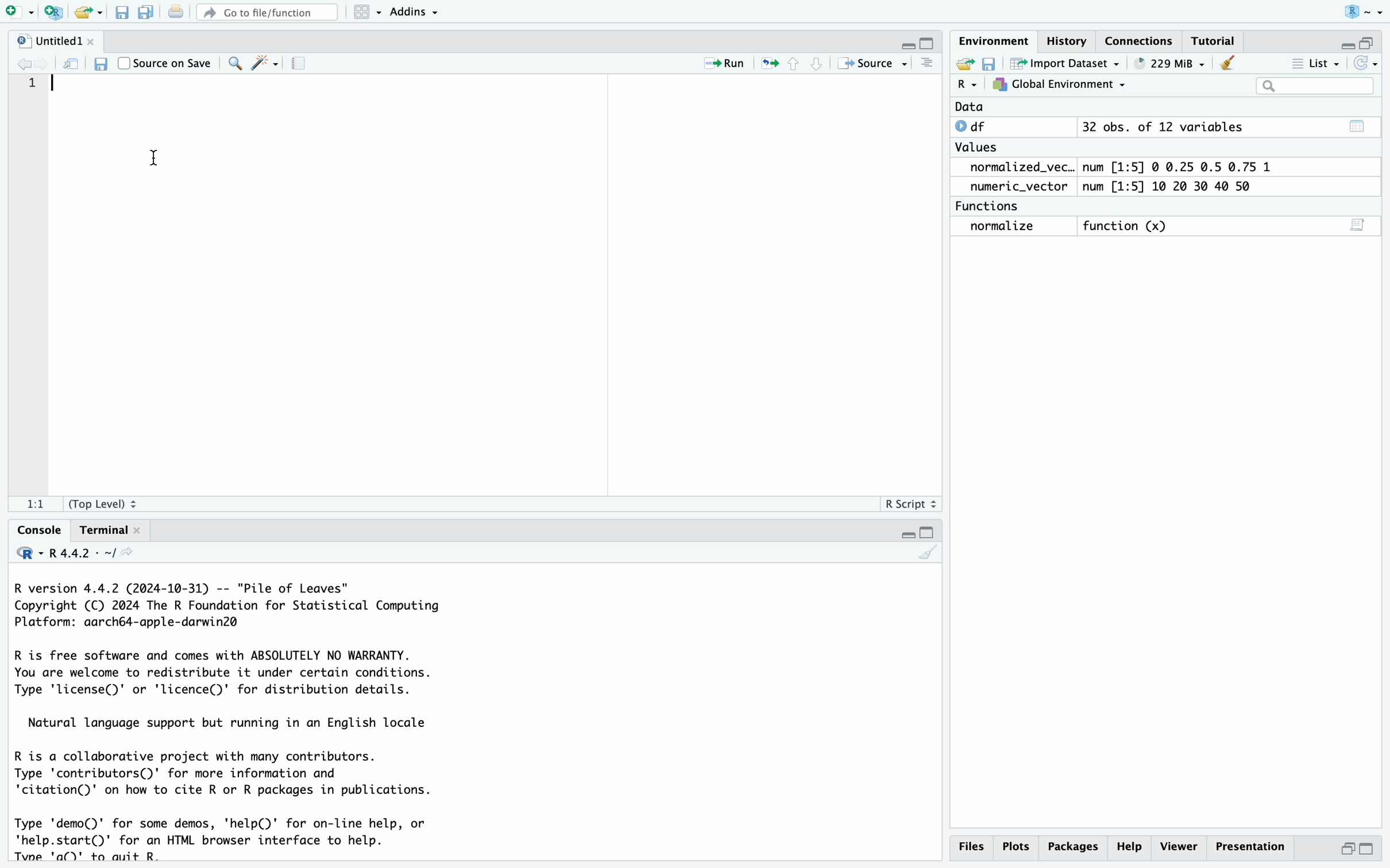 This screenshot has width=1390, height=868. I want to click on Data
O df 32 obs. of 12 variables
Values
normalized_vec.. num [1:5] @ 0.25 0.5 0.75 1
numeric_vector num [1:5] 10 20 30 40 50
Functions
normalize function (x), so click(1111, 170).